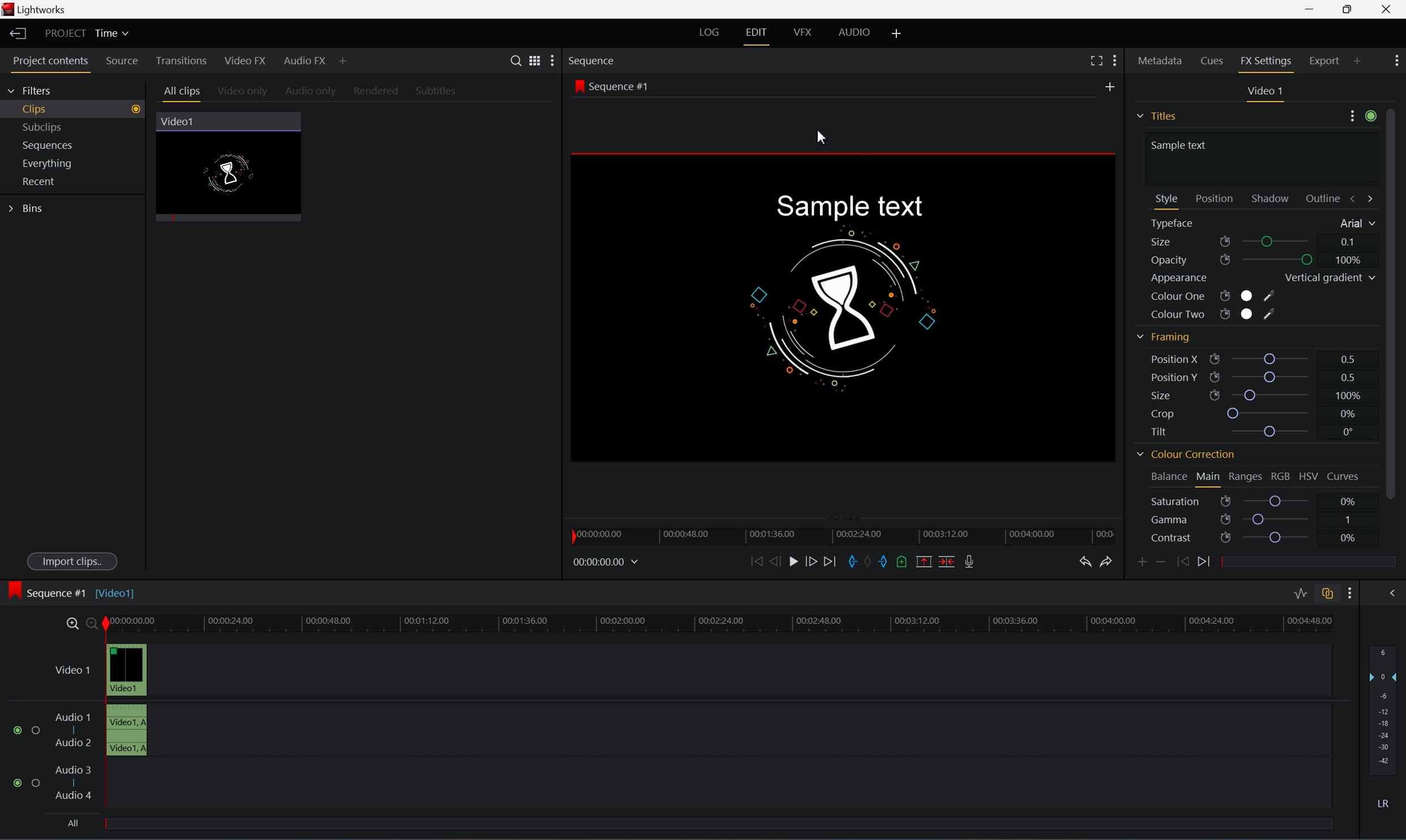  I want to click on More, so click(344, 63).